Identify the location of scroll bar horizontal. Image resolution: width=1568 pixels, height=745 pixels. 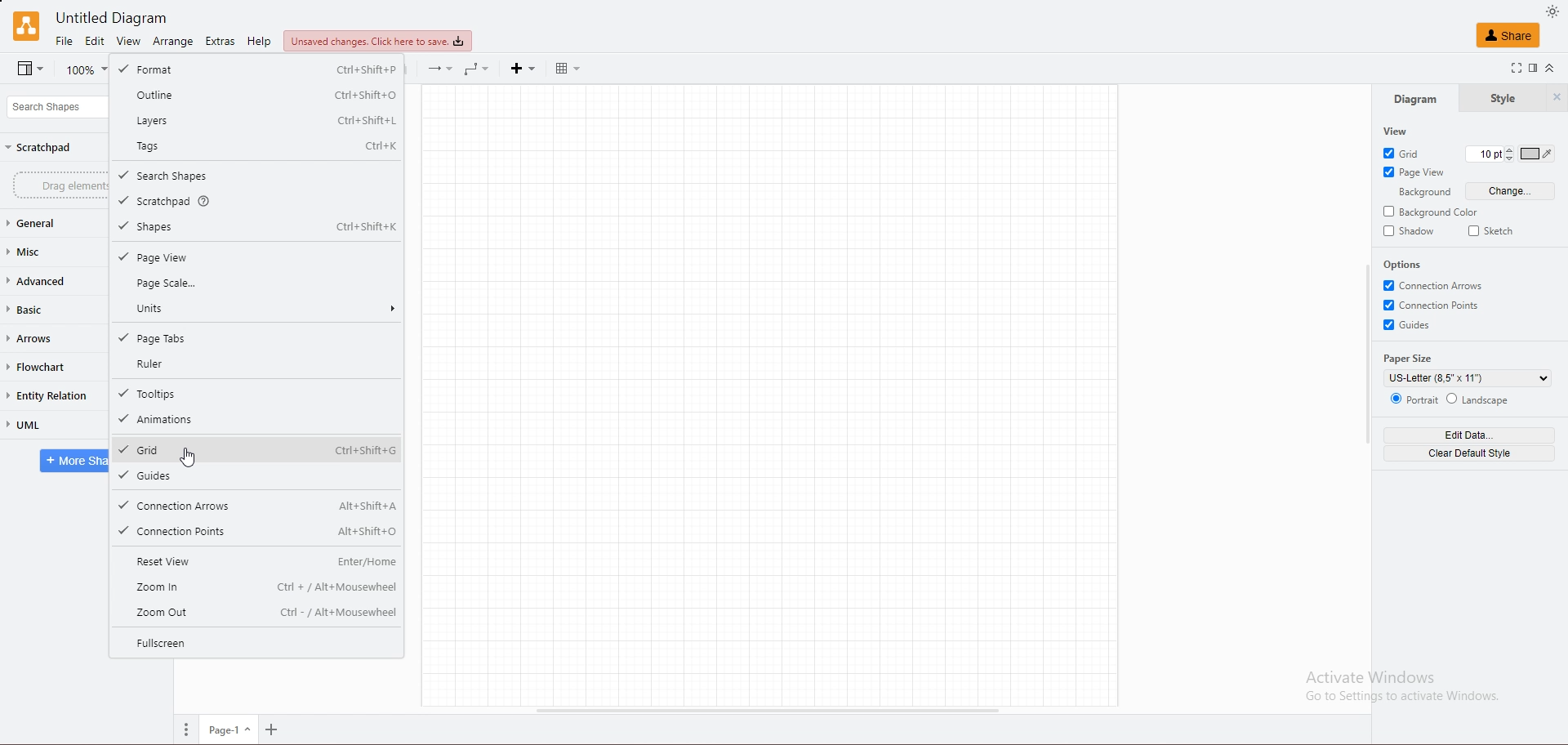
(768, 710).